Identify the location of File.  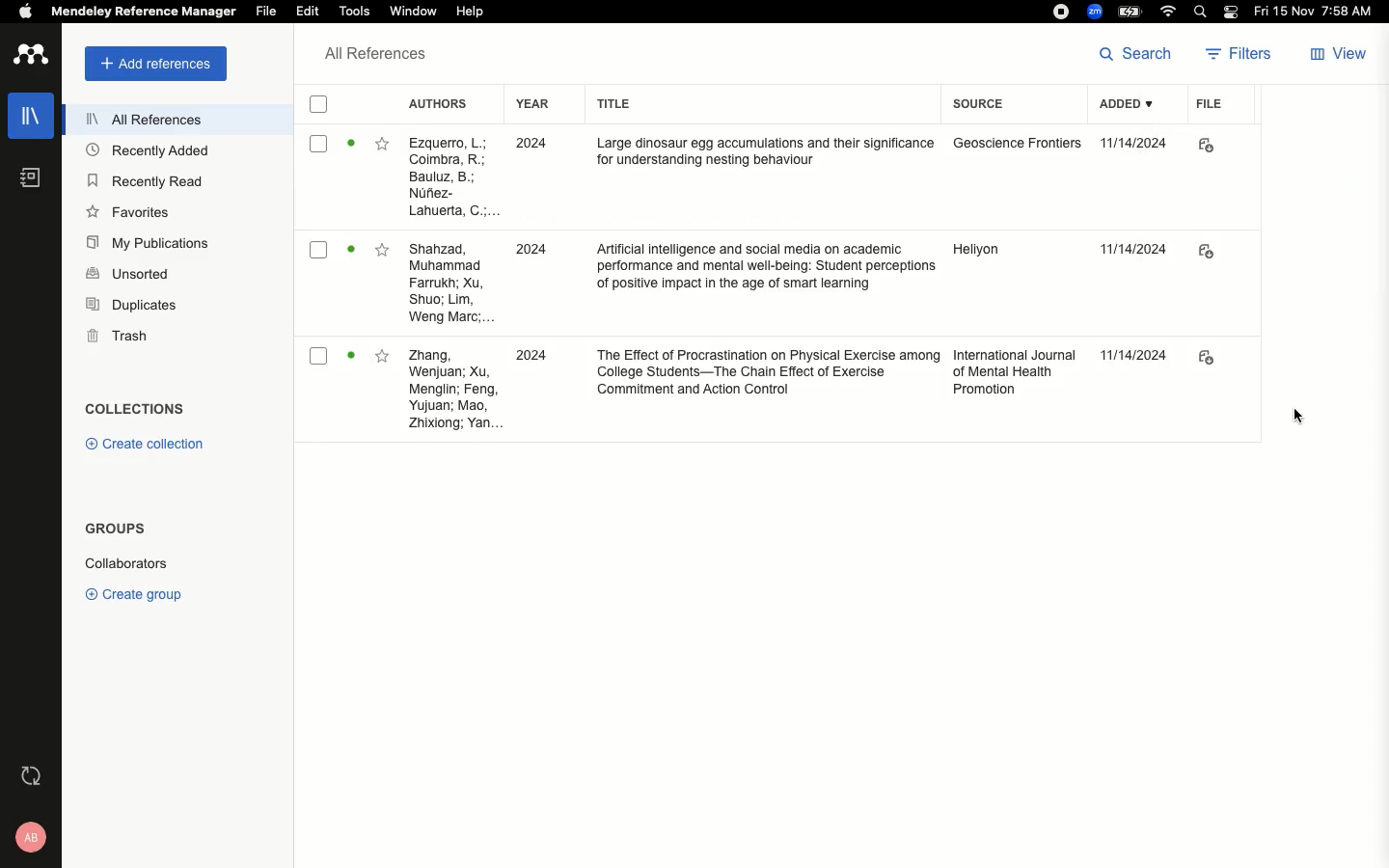
(267, 11).